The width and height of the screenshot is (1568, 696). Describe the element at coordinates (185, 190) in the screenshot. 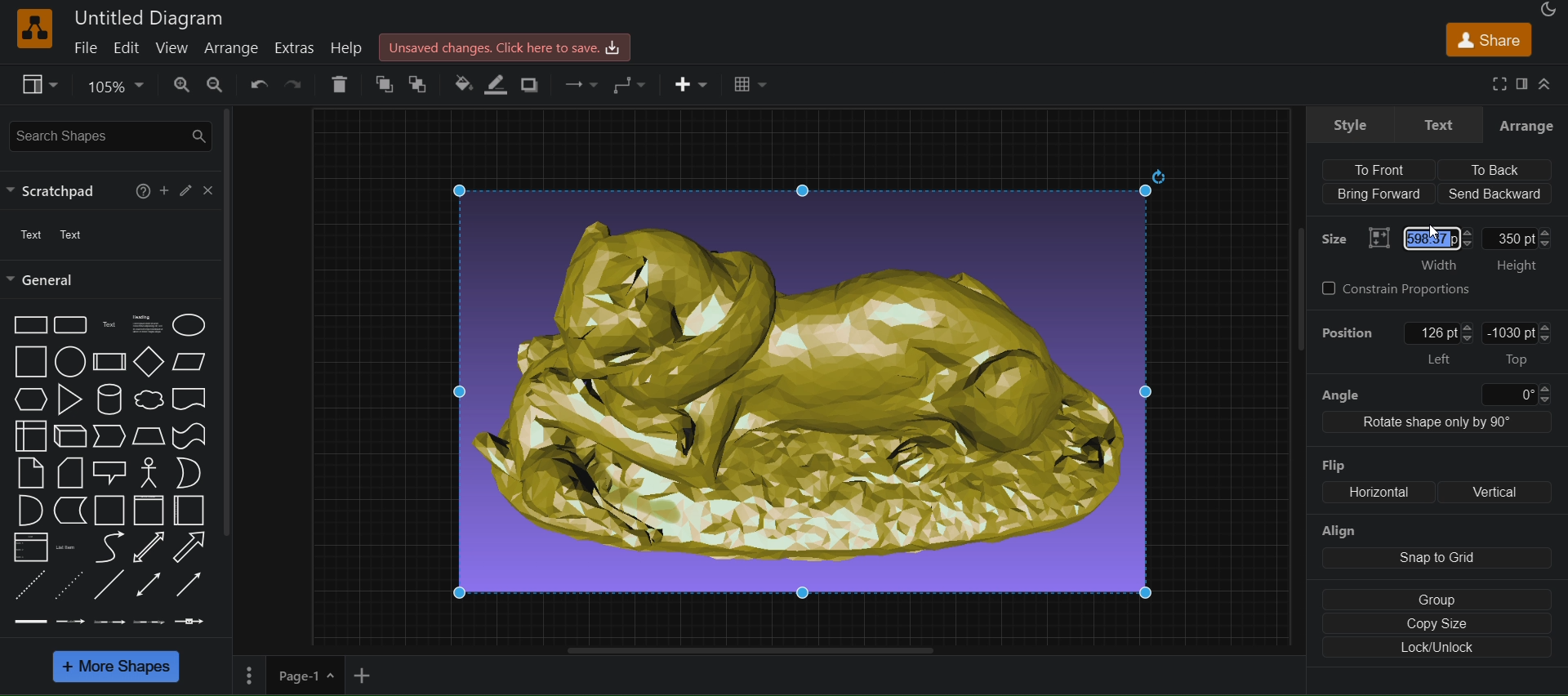

I see `edit` at that location.